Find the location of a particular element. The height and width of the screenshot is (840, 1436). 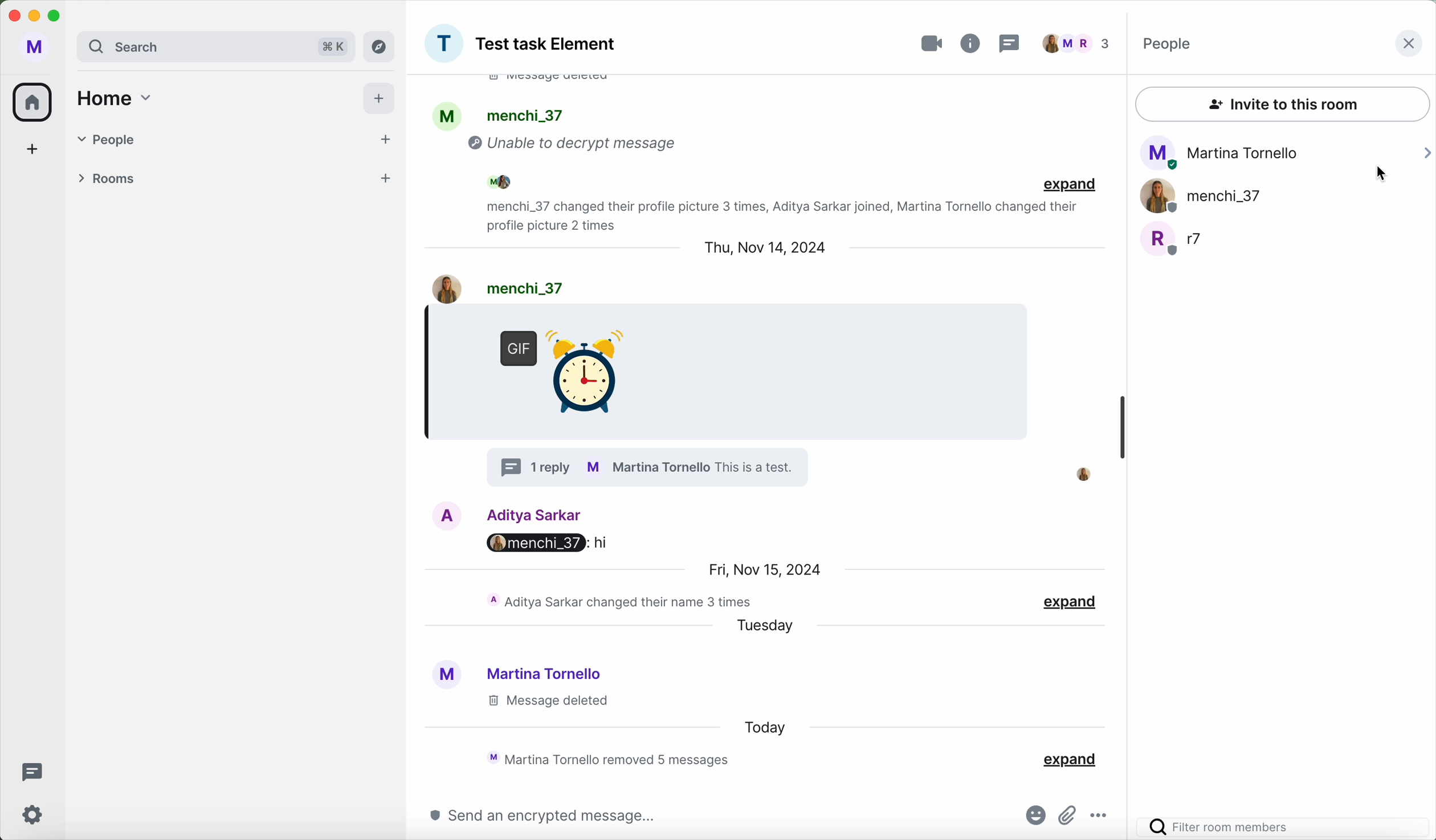

threads is located at coordinates (30, 770).